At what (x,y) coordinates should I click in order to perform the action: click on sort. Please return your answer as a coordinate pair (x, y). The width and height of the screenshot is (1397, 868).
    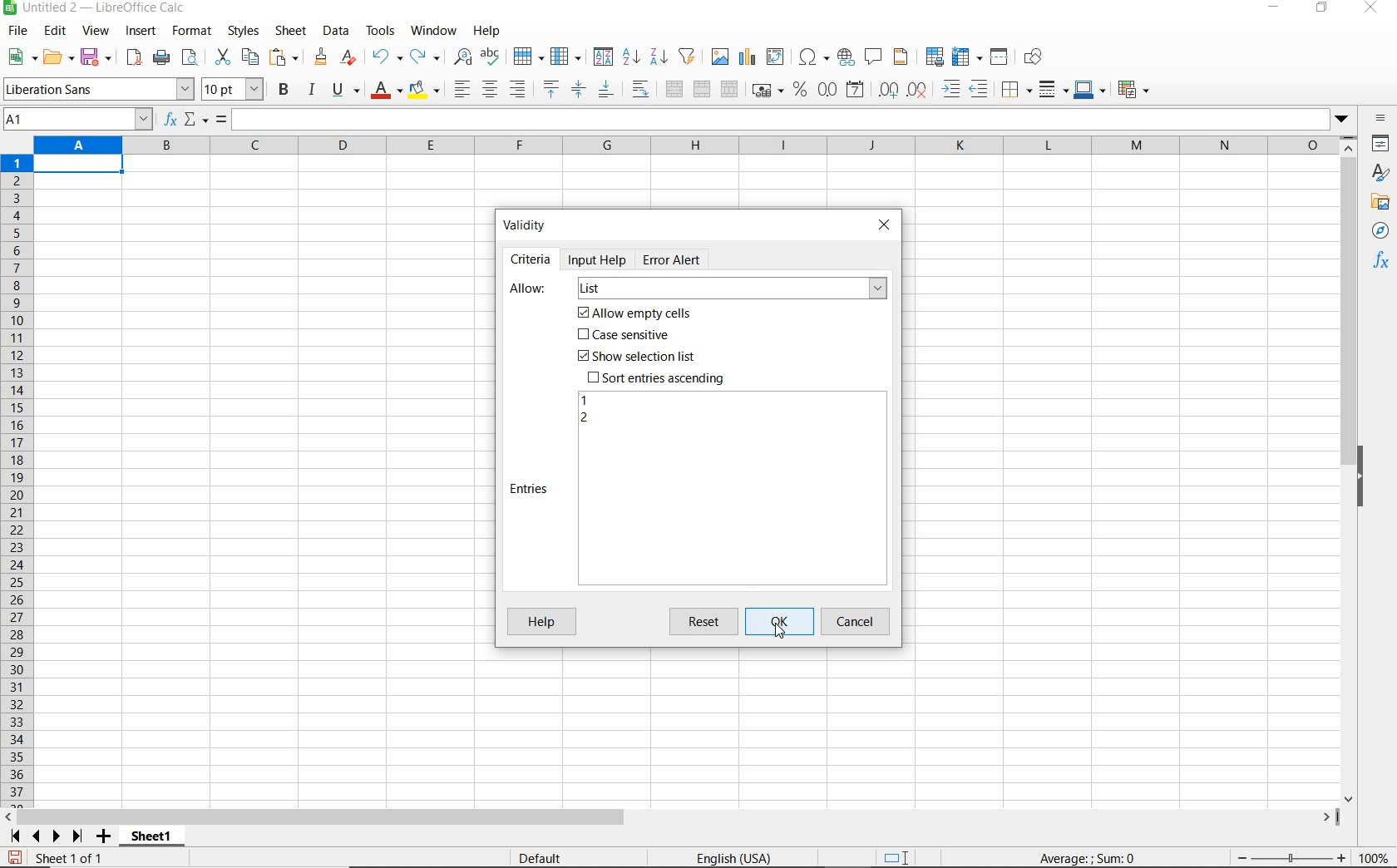
    Looking at the image, I should click on (603, 58).